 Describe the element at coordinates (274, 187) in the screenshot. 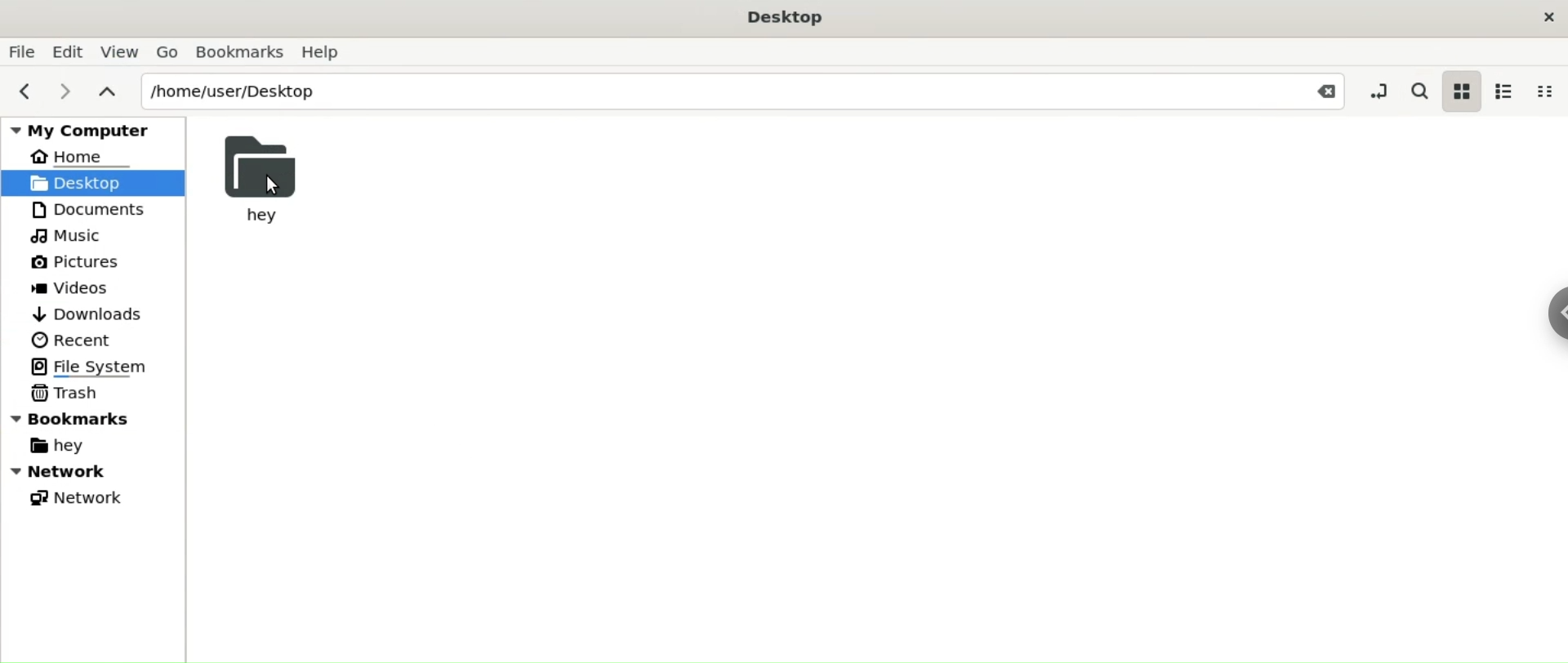

I see `Cursor` at that location.